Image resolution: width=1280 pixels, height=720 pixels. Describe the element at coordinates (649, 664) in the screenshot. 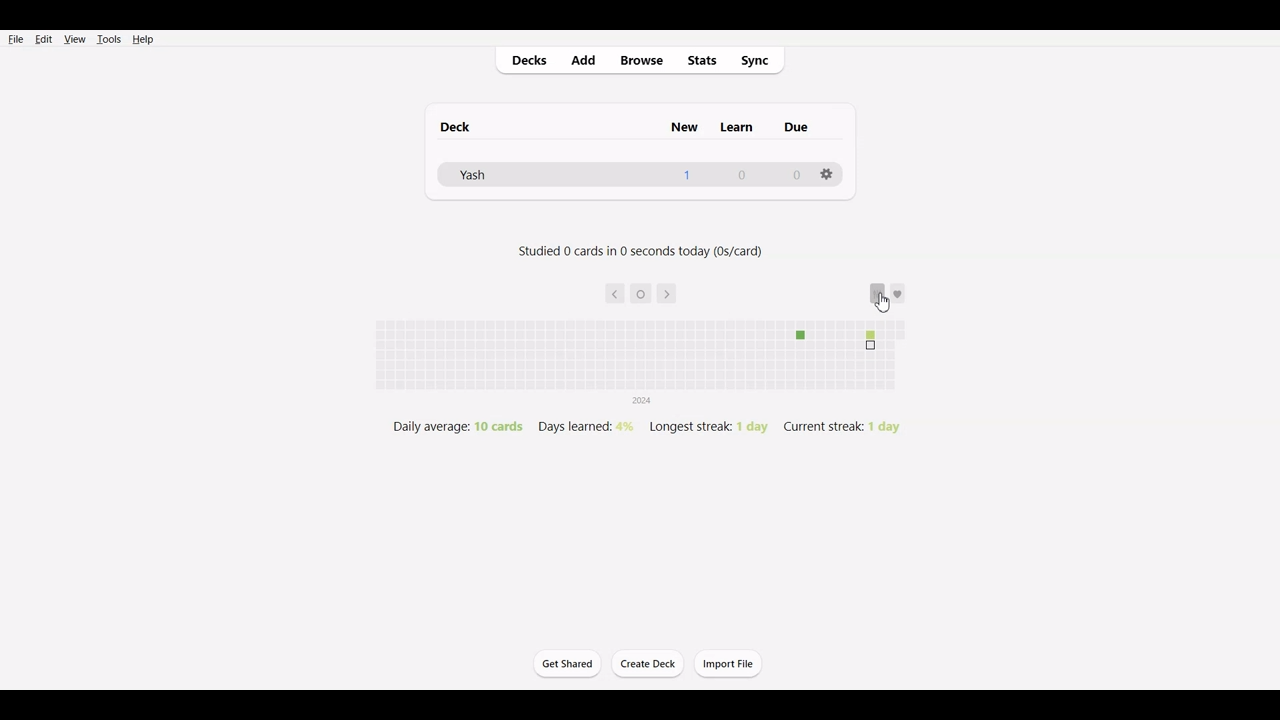

I see `Create Deck` at that location.